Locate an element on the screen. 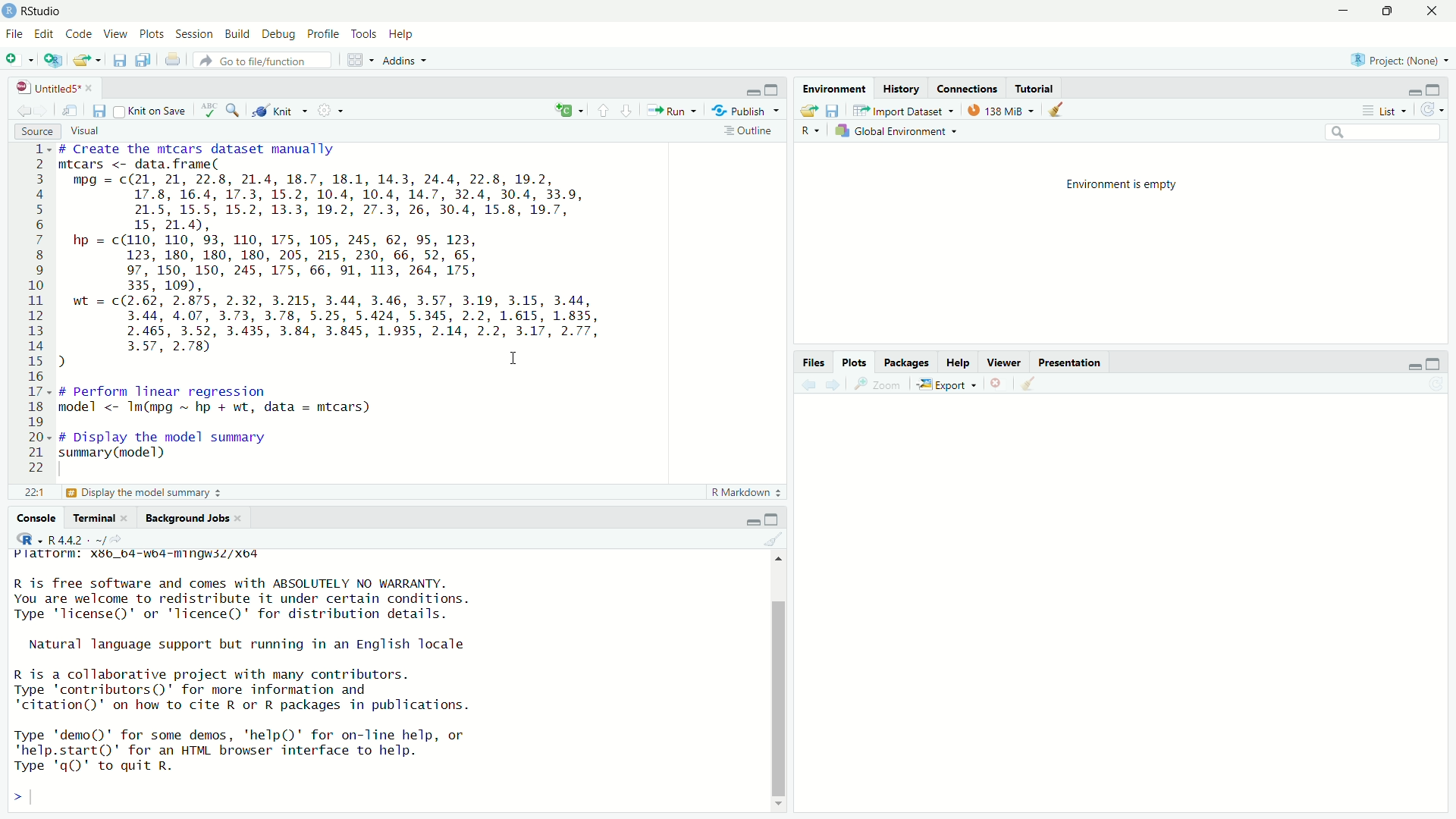 The width and height of the screenshot is (1456, 819). Viewer is located at coordinates (1007, 363).